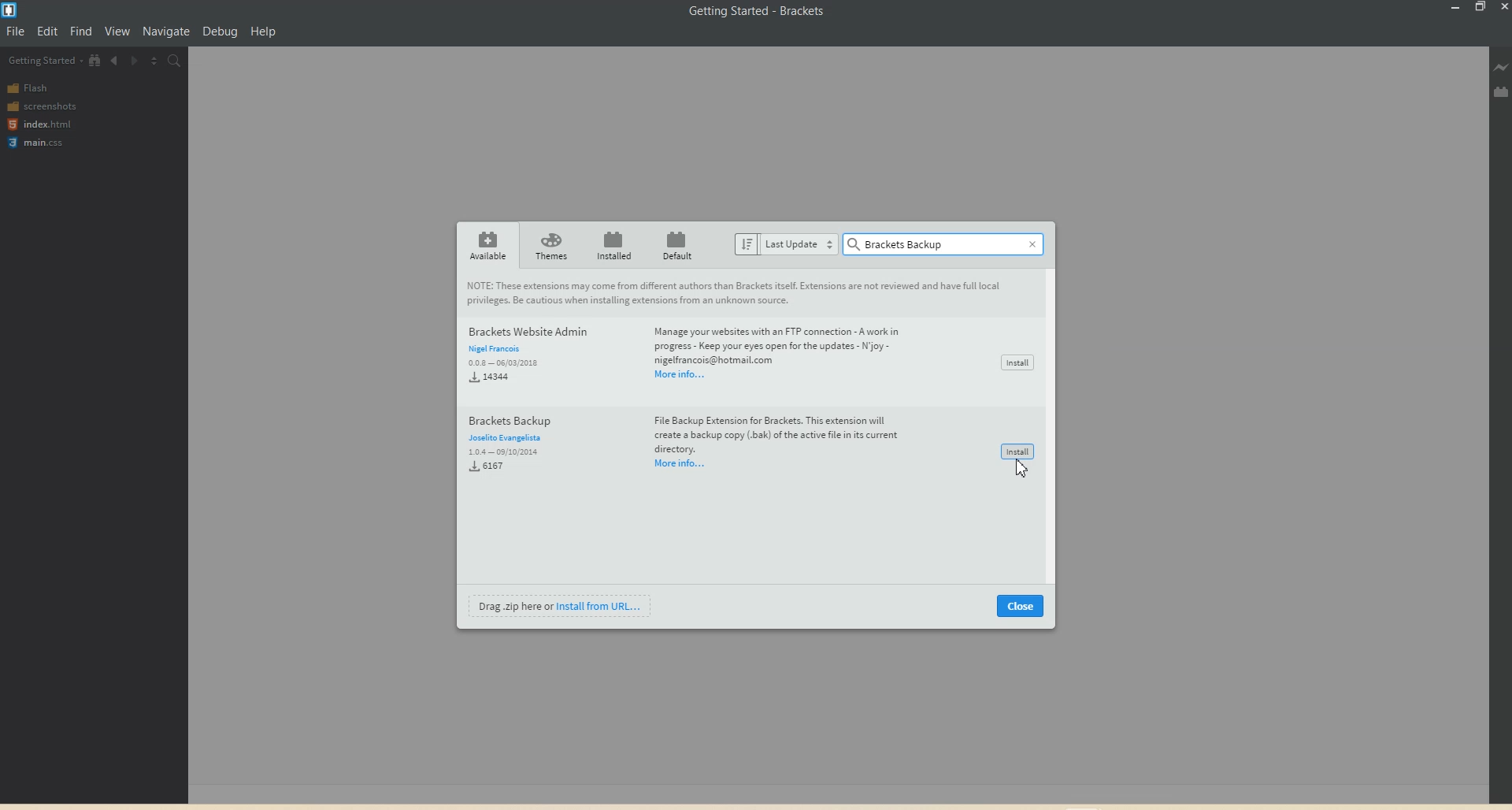 Image resolution: width=1512 pixels, height=810 pixels. I want to click on Drag .zip here, so click(514, 607).